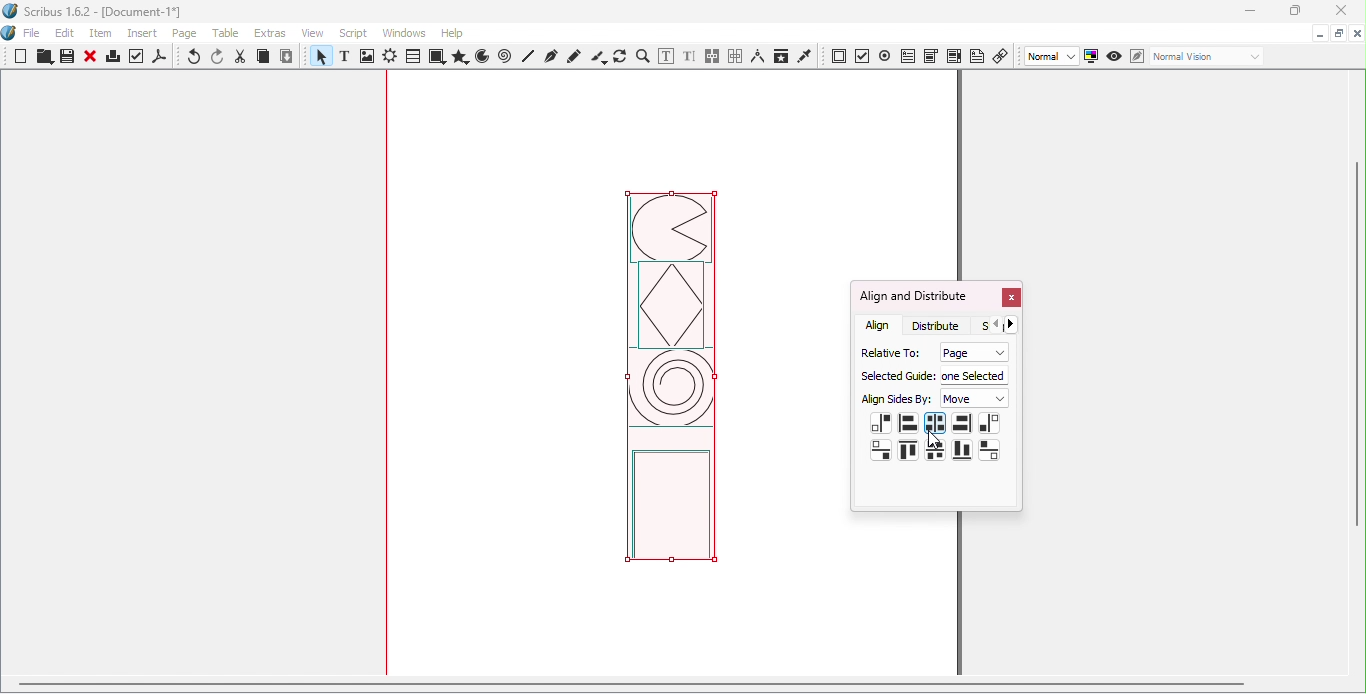  Describe the element at coordinates (195, 58) in the screenshot. I see `Undo` at that location.